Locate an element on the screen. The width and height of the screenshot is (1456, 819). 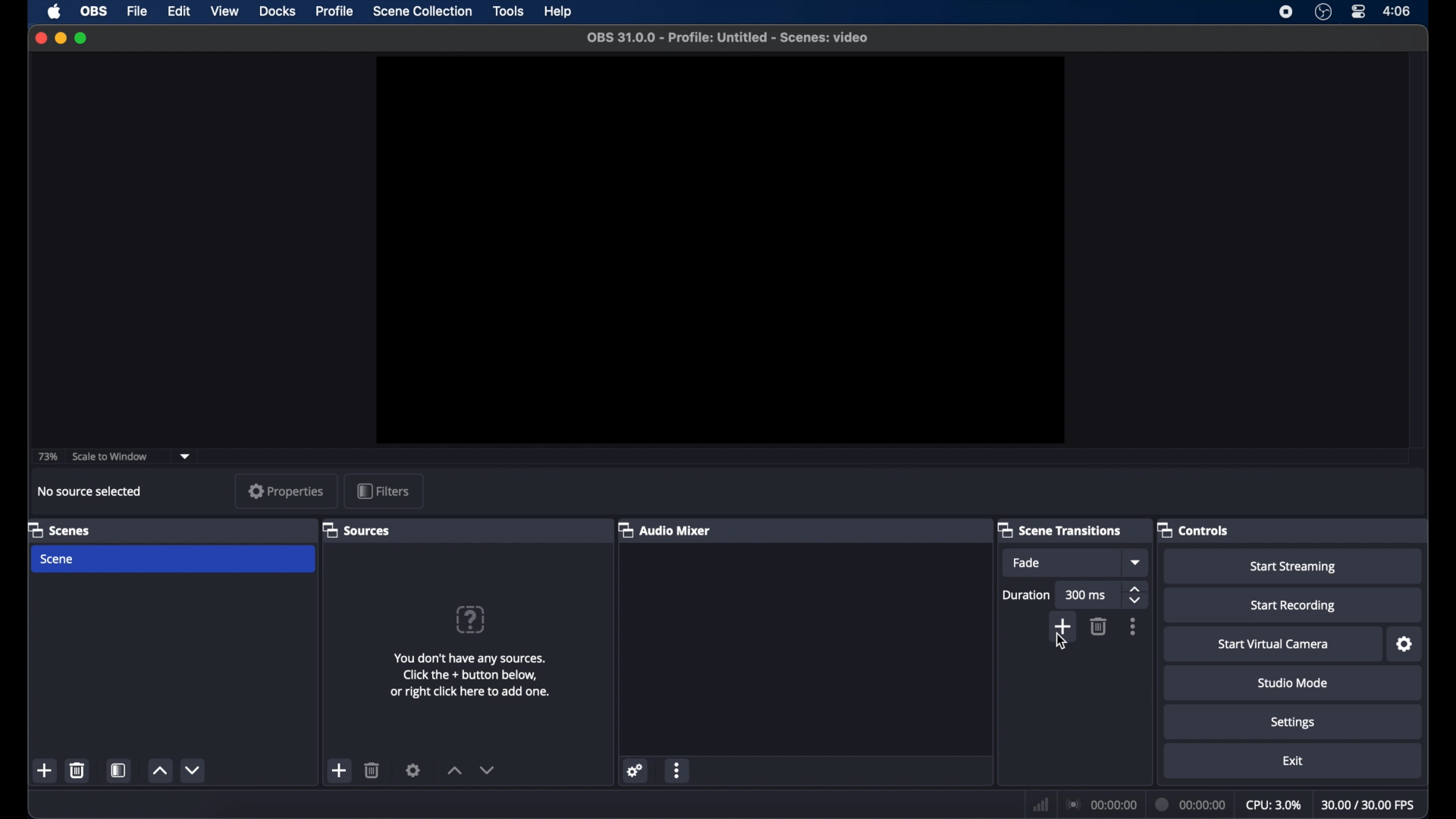
73% is located at coordinates (47, 457).